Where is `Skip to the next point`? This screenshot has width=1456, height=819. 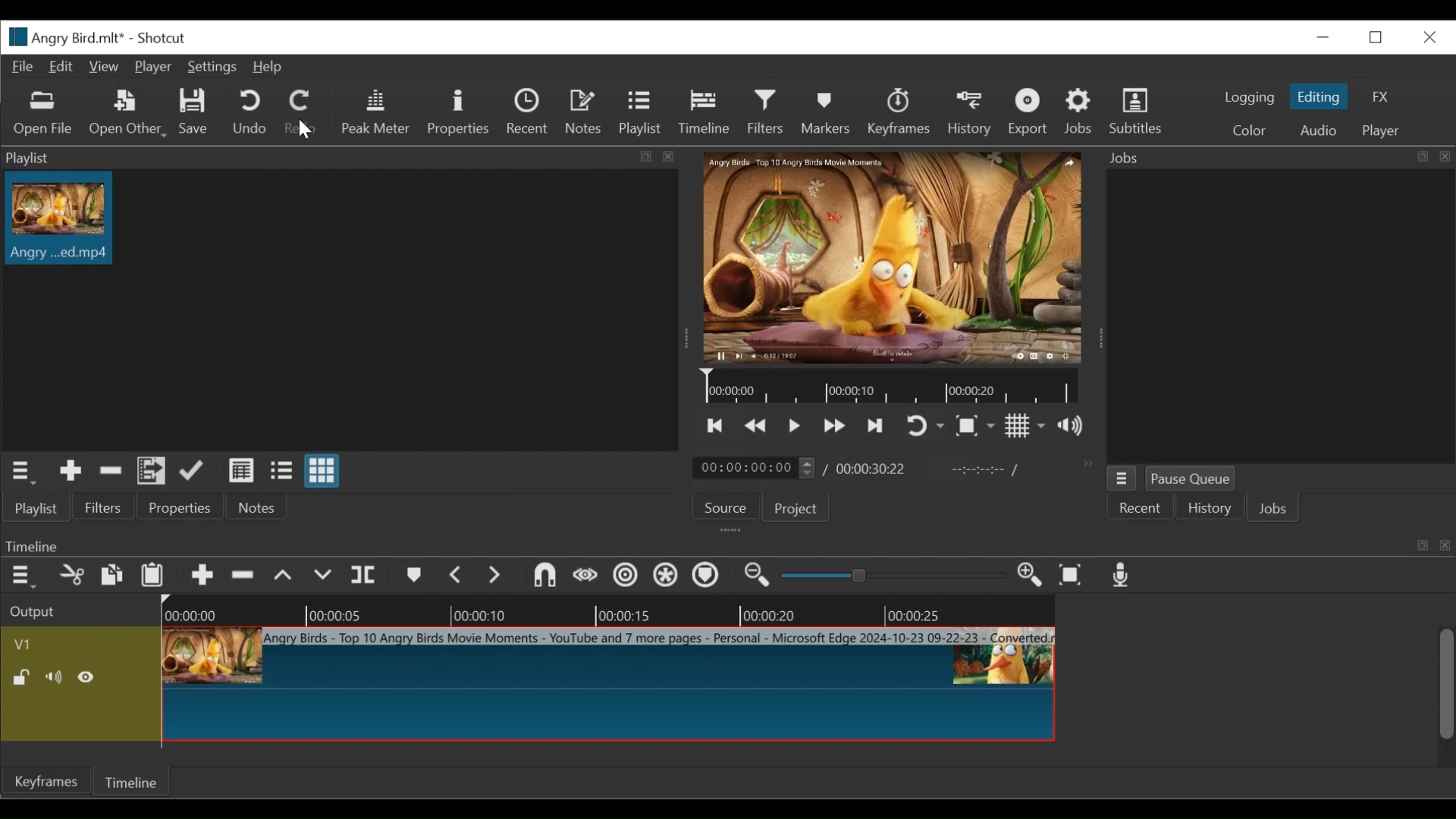
Skip to the next point is located at coordinates (717, 425).